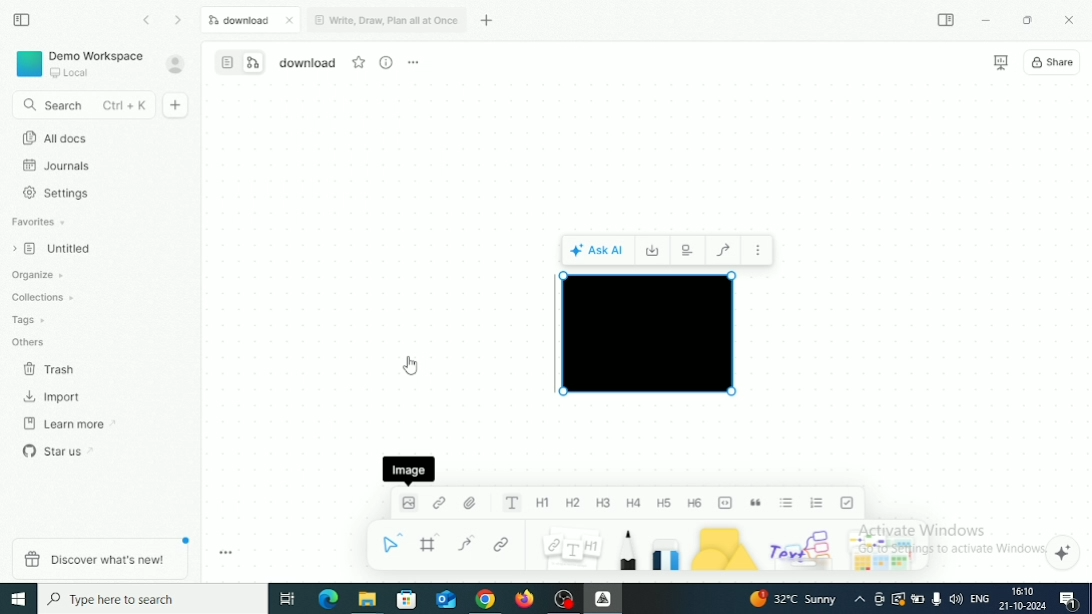  What do you see at coordinates (83, 106) in the screenshot?
I see `Search` at bounding box center [83, 106].